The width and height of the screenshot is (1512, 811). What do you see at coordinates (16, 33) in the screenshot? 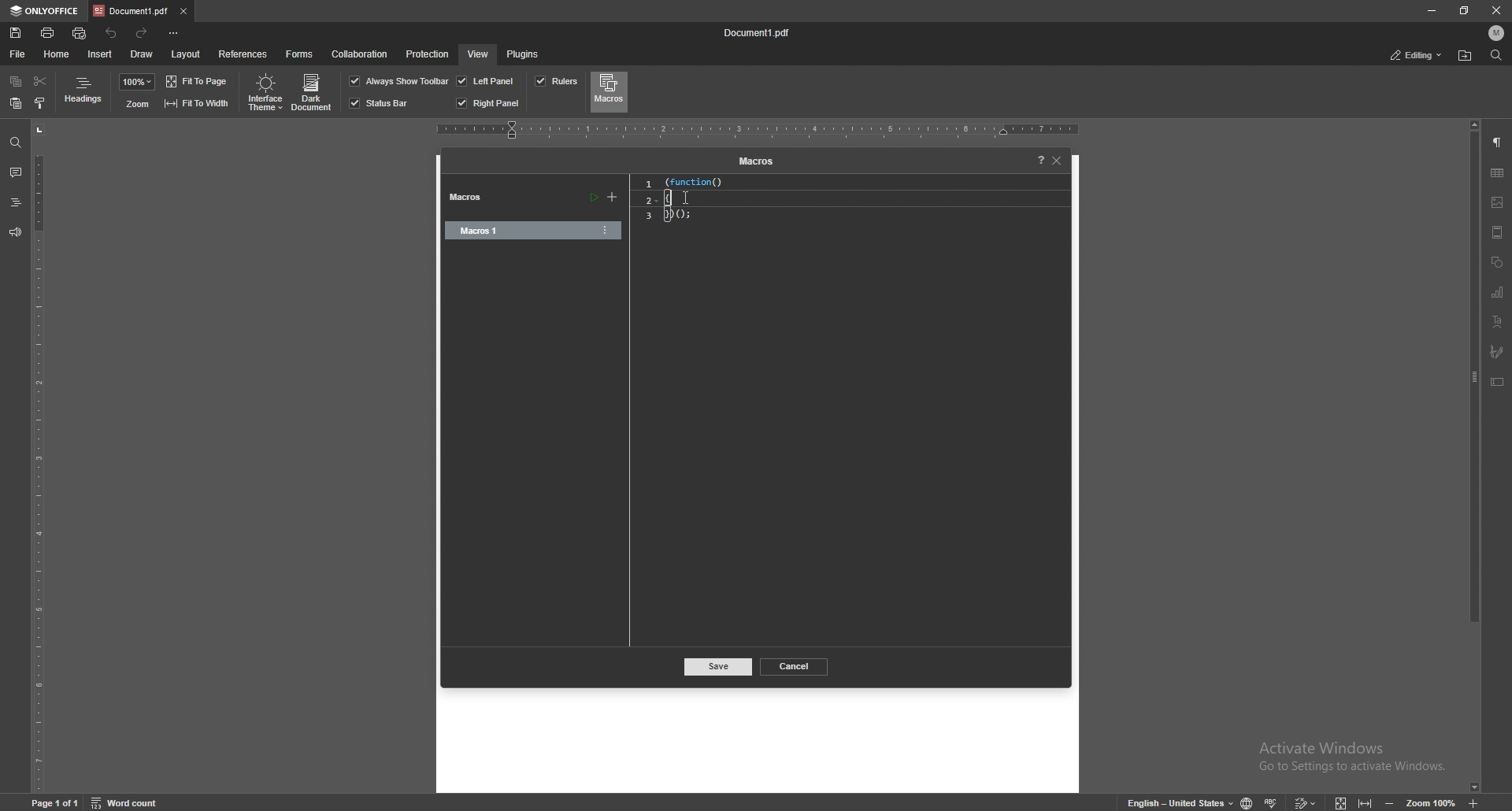
I see `save` at bounding box center [16, 33].